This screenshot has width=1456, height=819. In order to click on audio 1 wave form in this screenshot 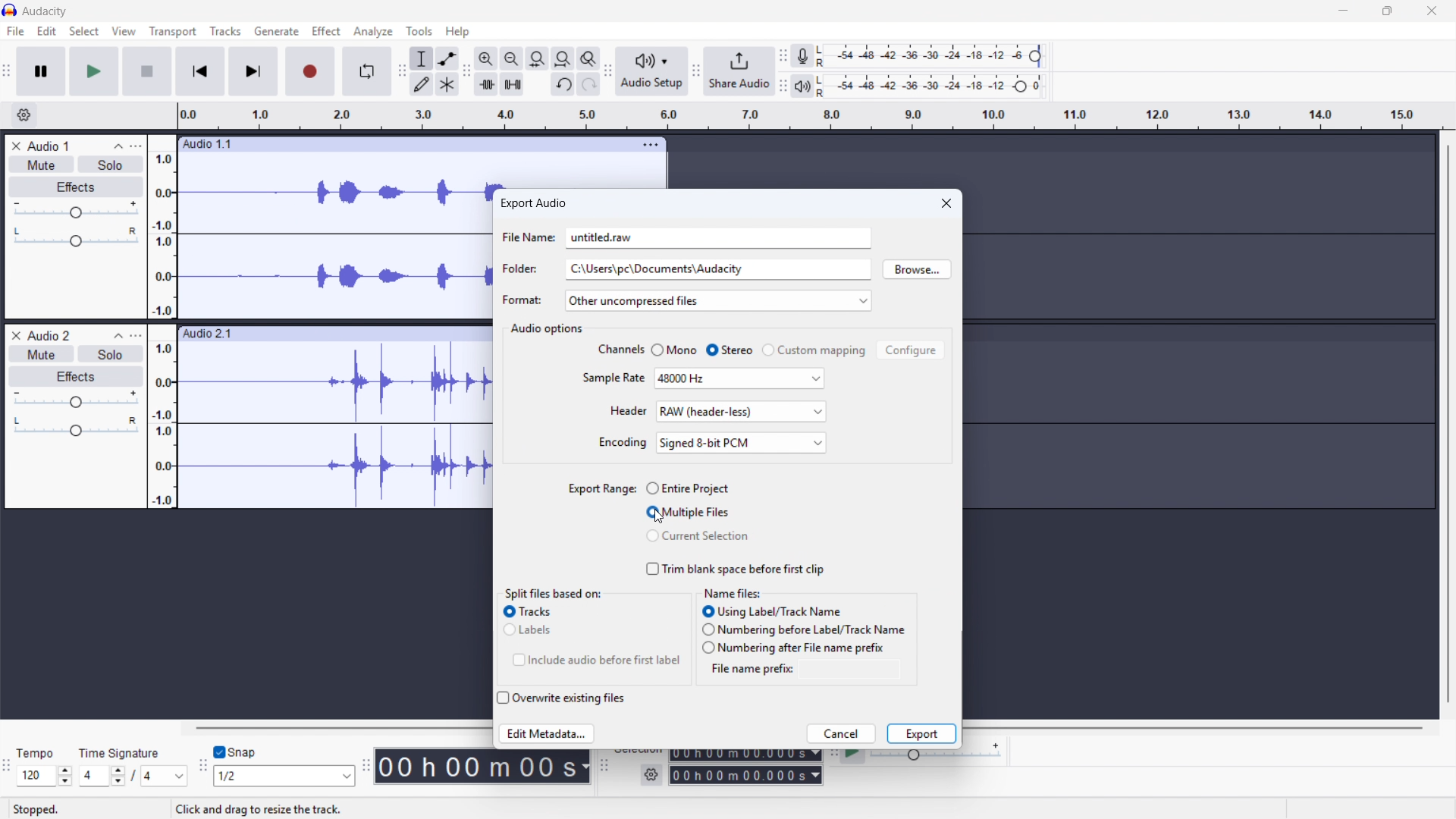, I will do `click(336, 243)`.